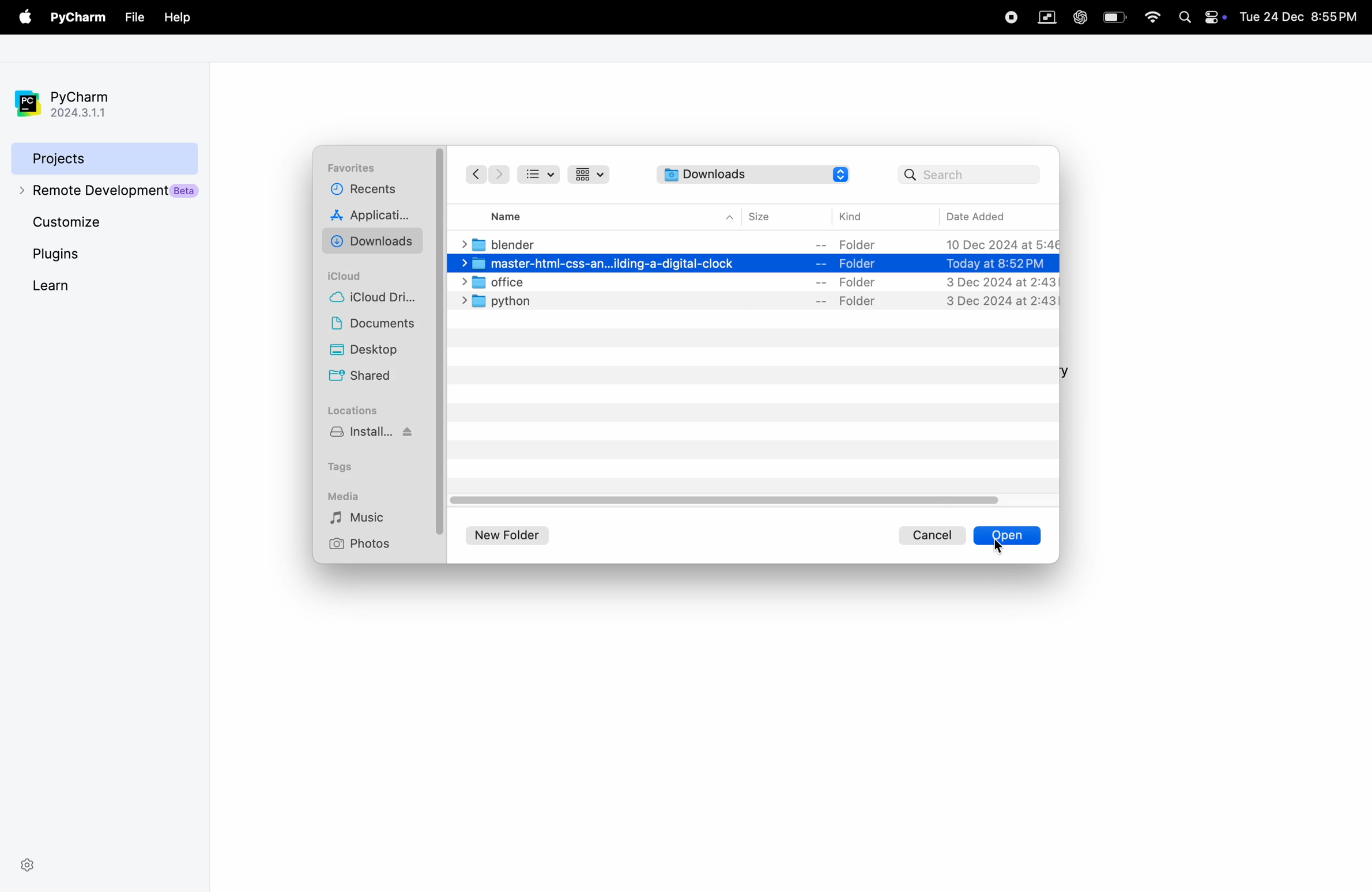 This screenshot has height=892, width=1372. Describe the element at coordinates (1044, 16) in the screenshot. I see `parallel space` at that location.